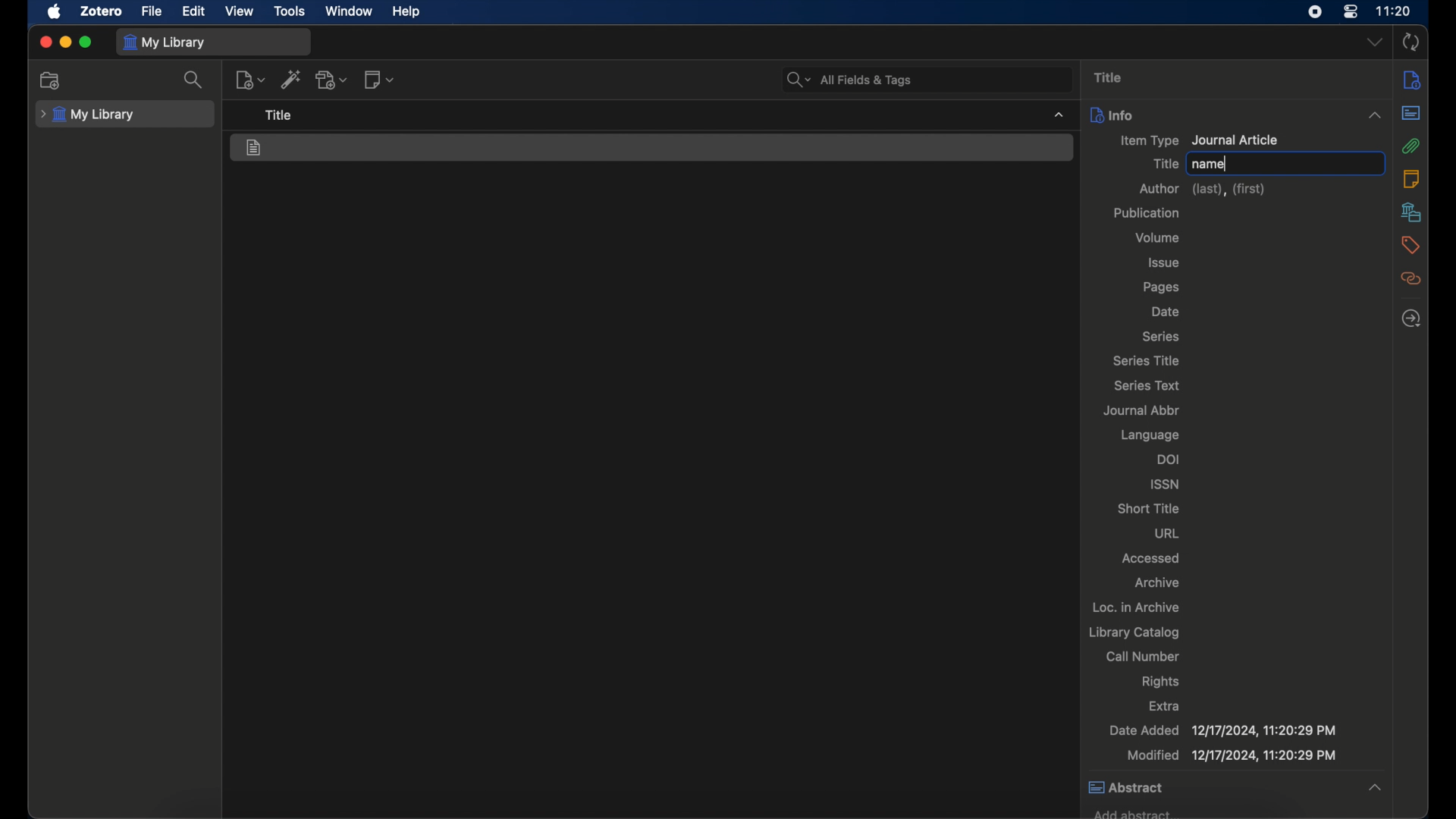 This screenshot has height=819, width=1456. Describe the element at coordinates (1223, 730) in the screenshot. I see `date added` at that location.